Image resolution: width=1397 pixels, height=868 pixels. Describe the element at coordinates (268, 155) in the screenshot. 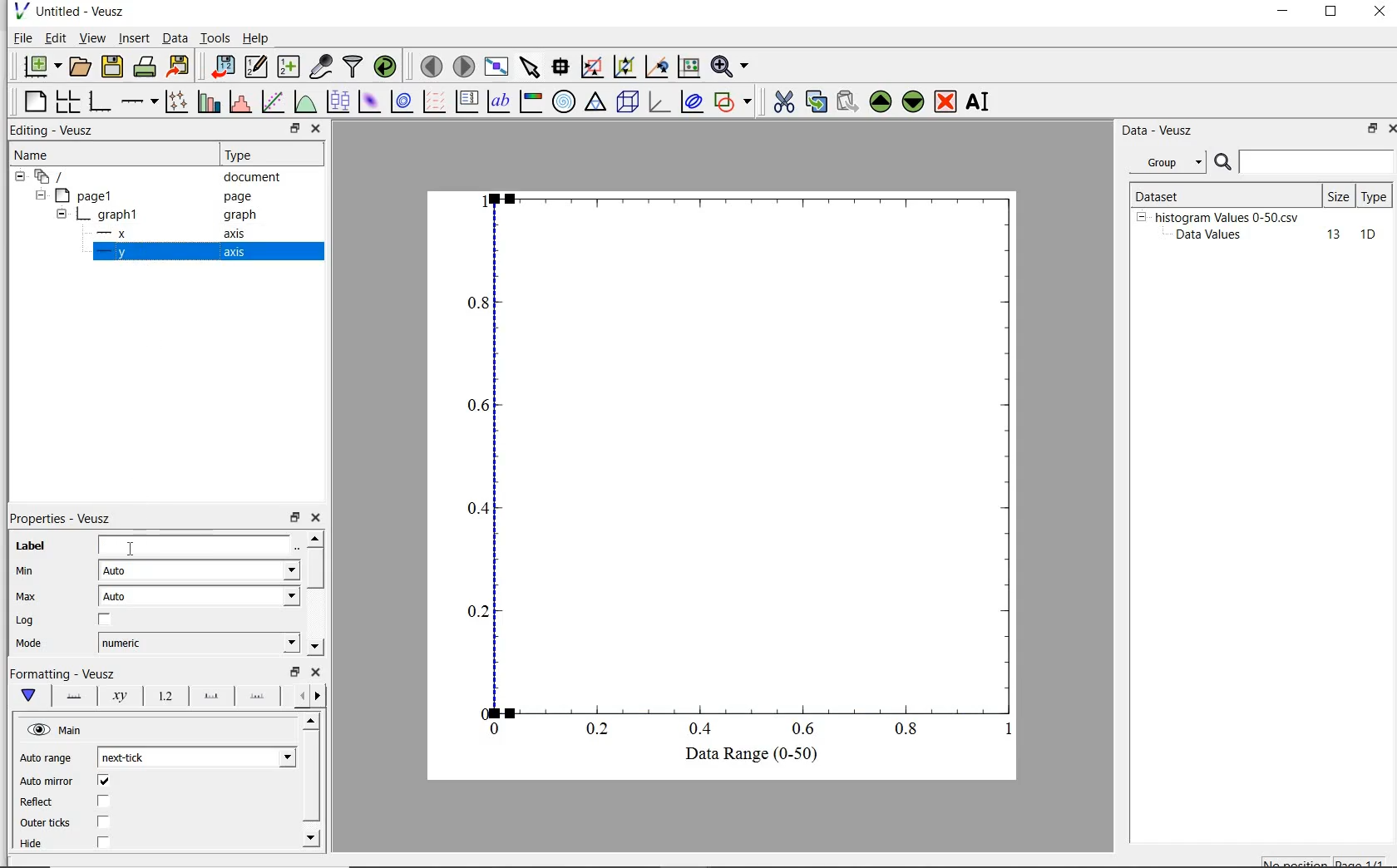

I see `Type` at that location.